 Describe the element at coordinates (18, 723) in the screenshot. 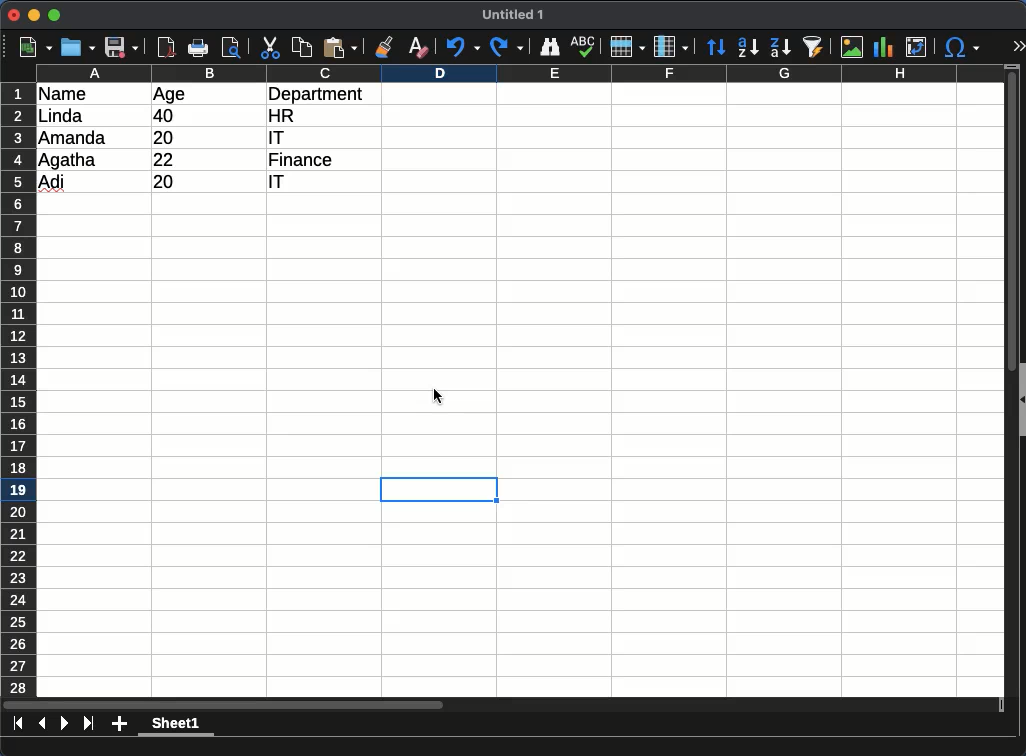

I see `first sheet` at that location.